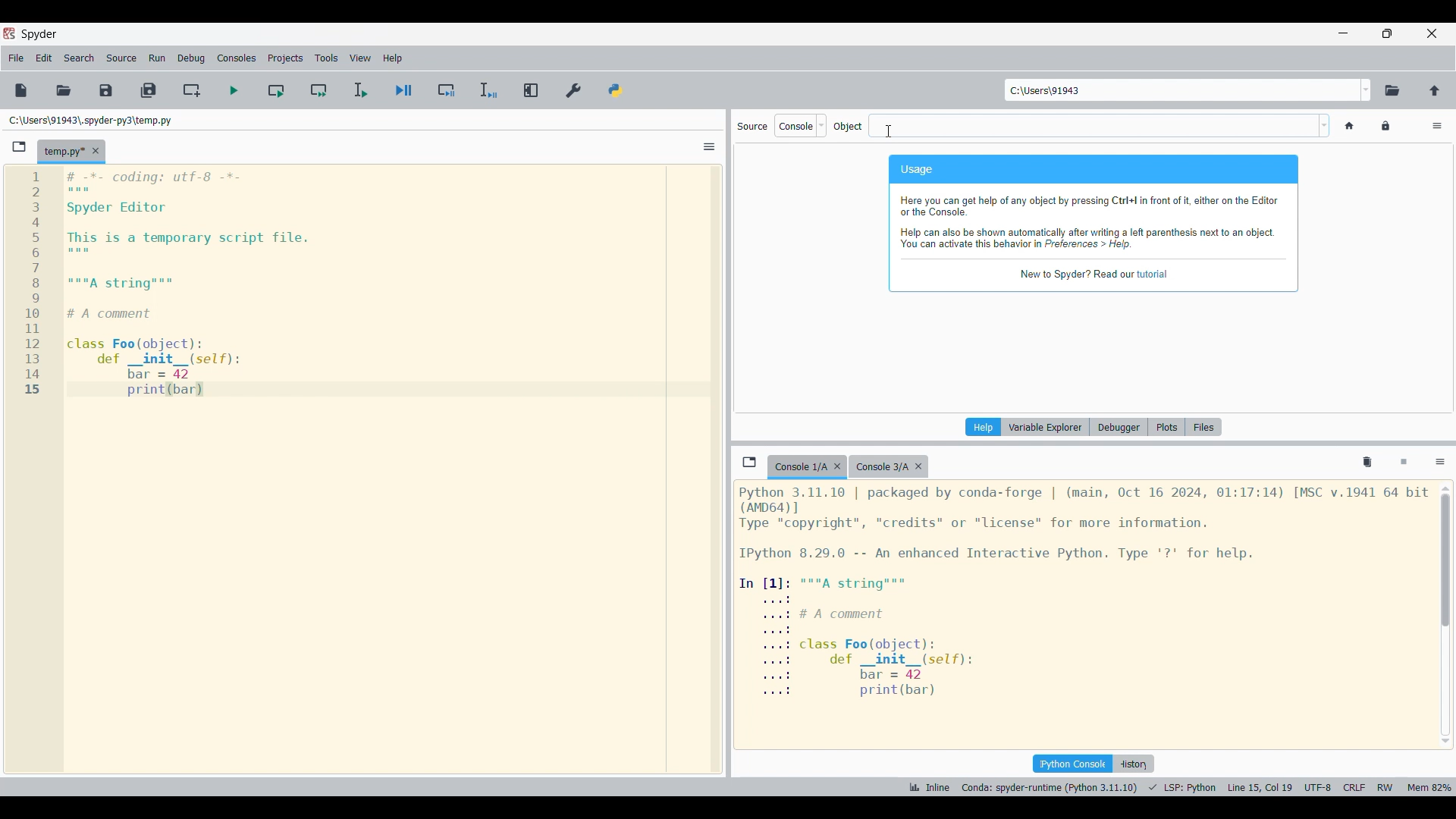 This screenshot has height=819, width=1456. What do you see at coordinates (1071, 764) in the screenshot?
I see `IPython console` at bounding box center [1071, 764].